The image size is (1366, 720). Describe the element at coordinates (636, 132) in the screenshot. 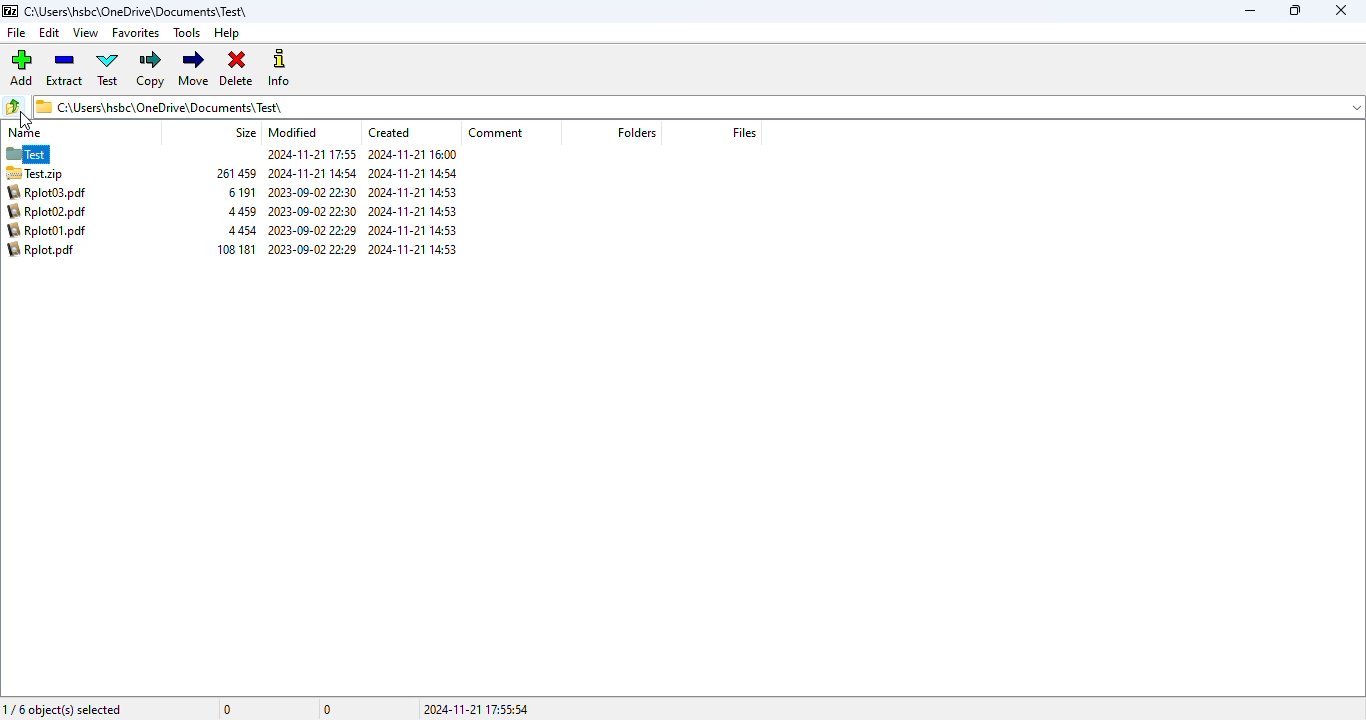

I see `folders` at that location.